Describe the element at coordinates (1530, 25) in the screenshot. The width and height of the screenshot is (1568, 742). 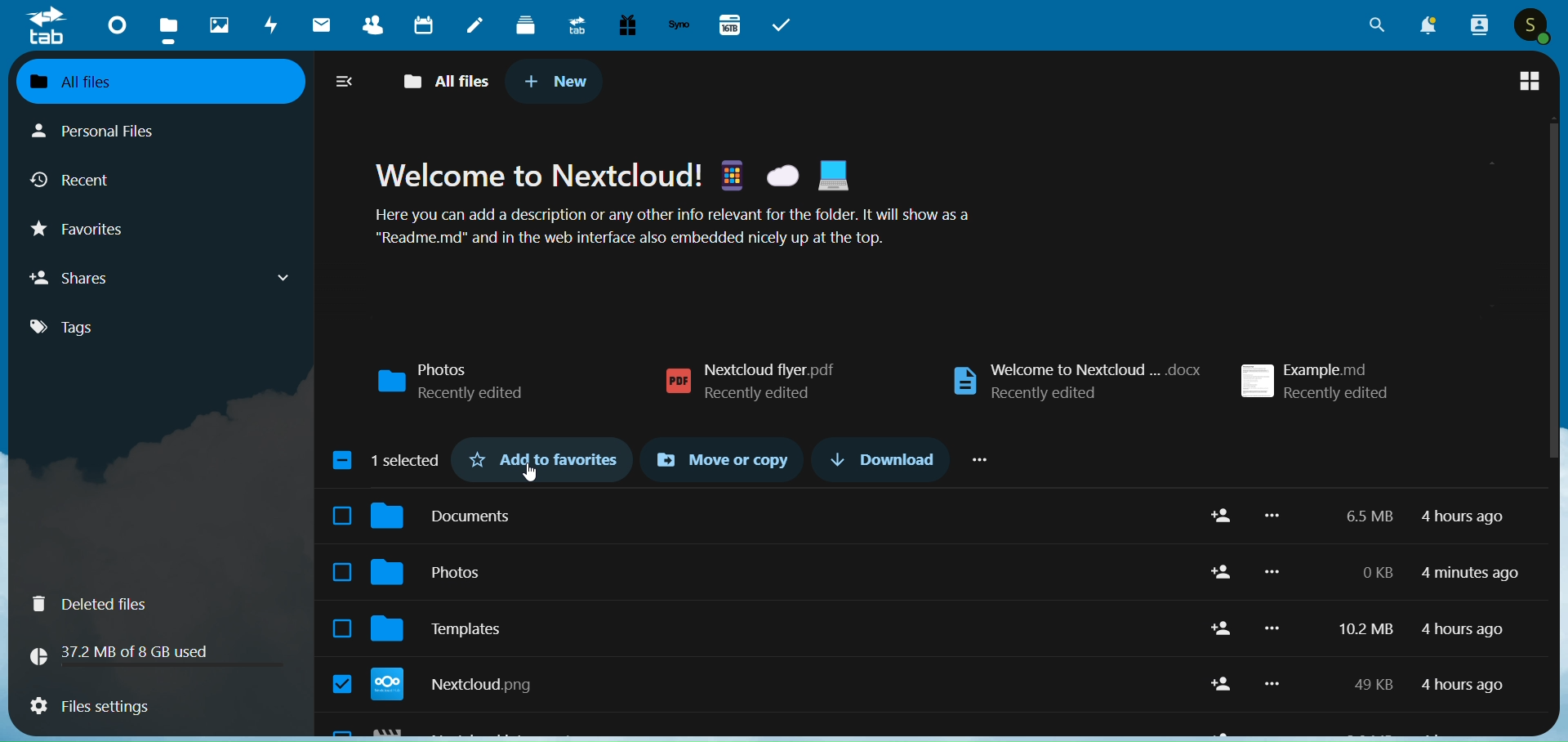
I see `user` at that location.